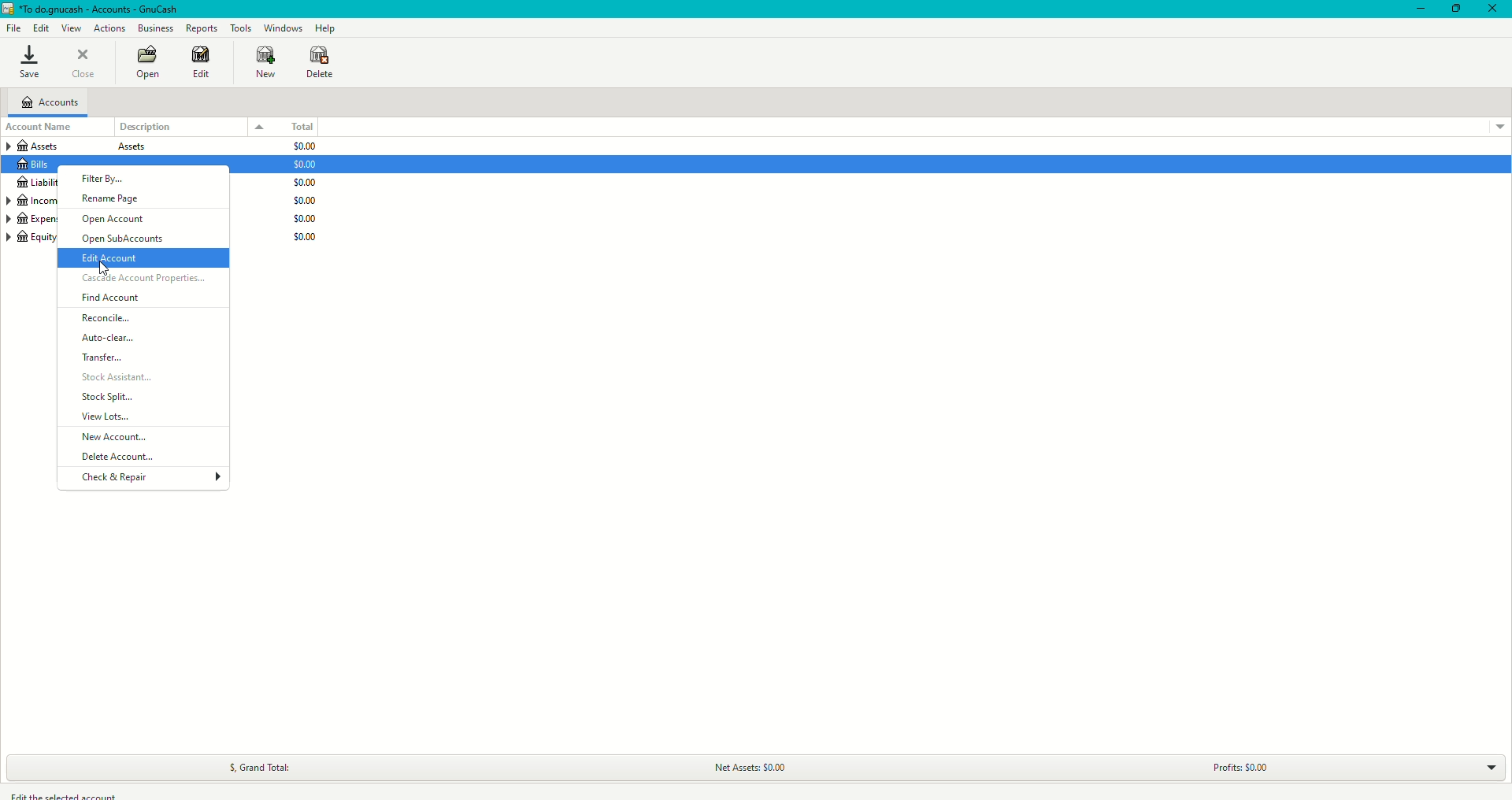 This screenshot has height=800, width=1512. Describe the element at coordinates (84, 62) in the screenshot. I see `Close` at that location.